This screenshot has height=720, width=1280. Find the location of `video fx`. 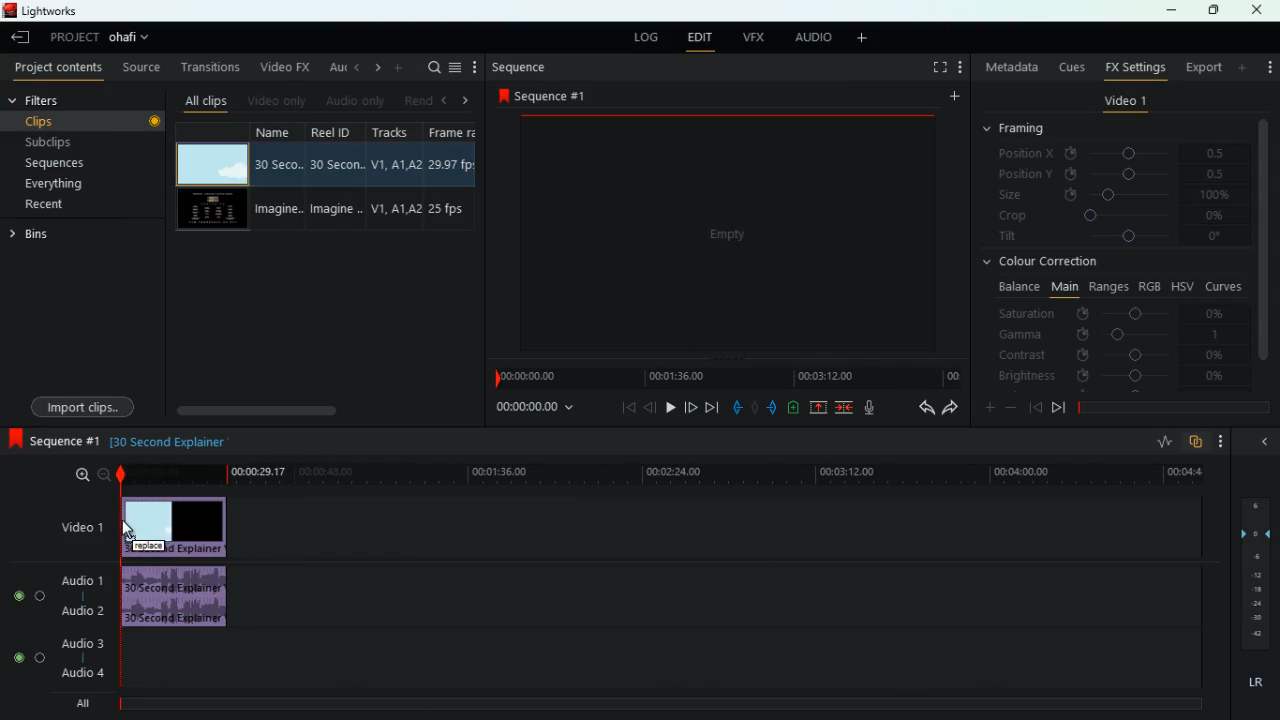

video fx is located at coordinates (282, 68).